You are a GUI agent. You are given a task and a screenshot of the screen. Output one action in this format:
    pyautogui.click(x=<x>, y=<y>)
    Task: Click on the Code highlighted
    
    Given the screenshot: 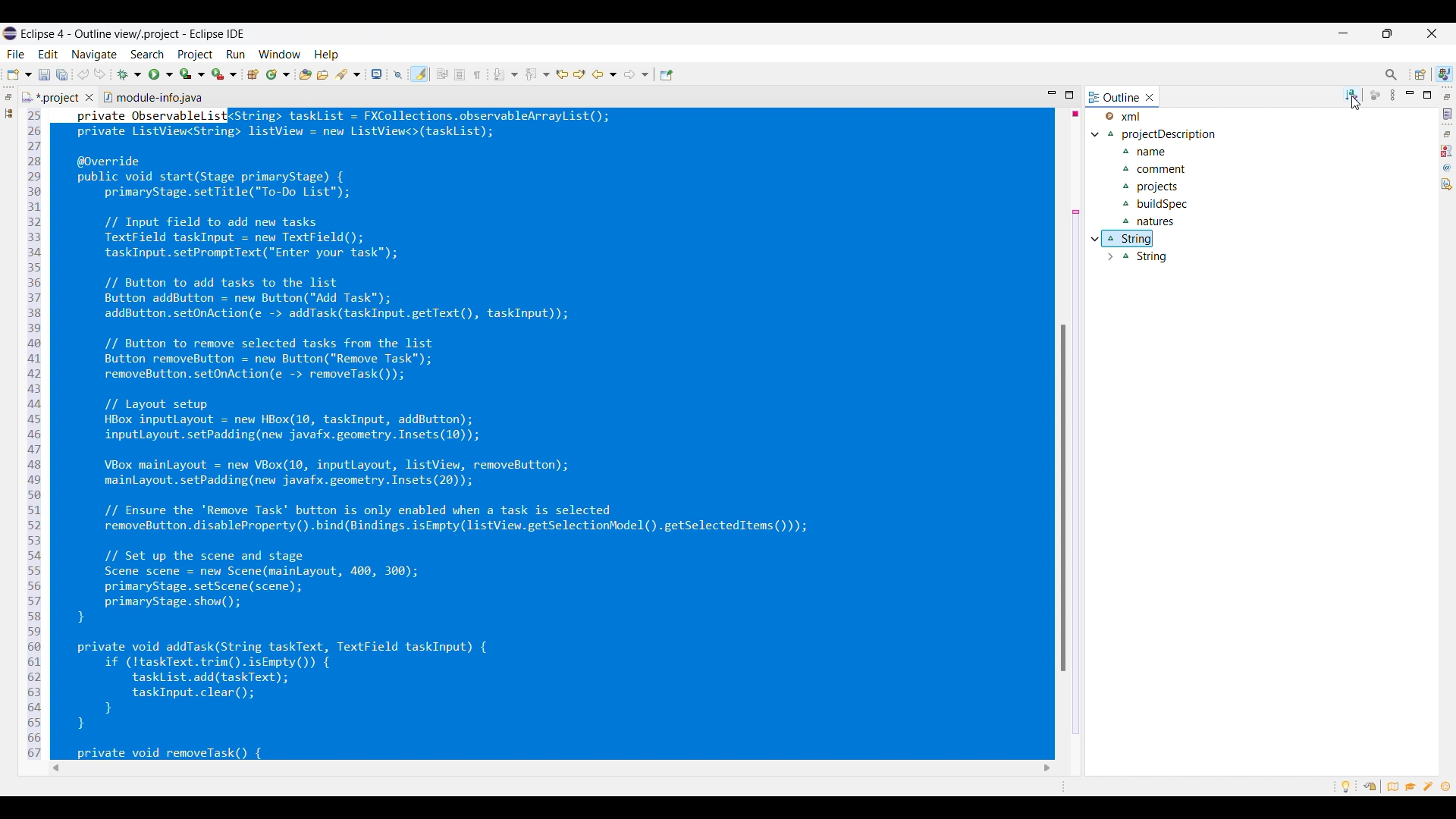 What is the action you would take?
    pyautogui.click(x=557, y=436)
    